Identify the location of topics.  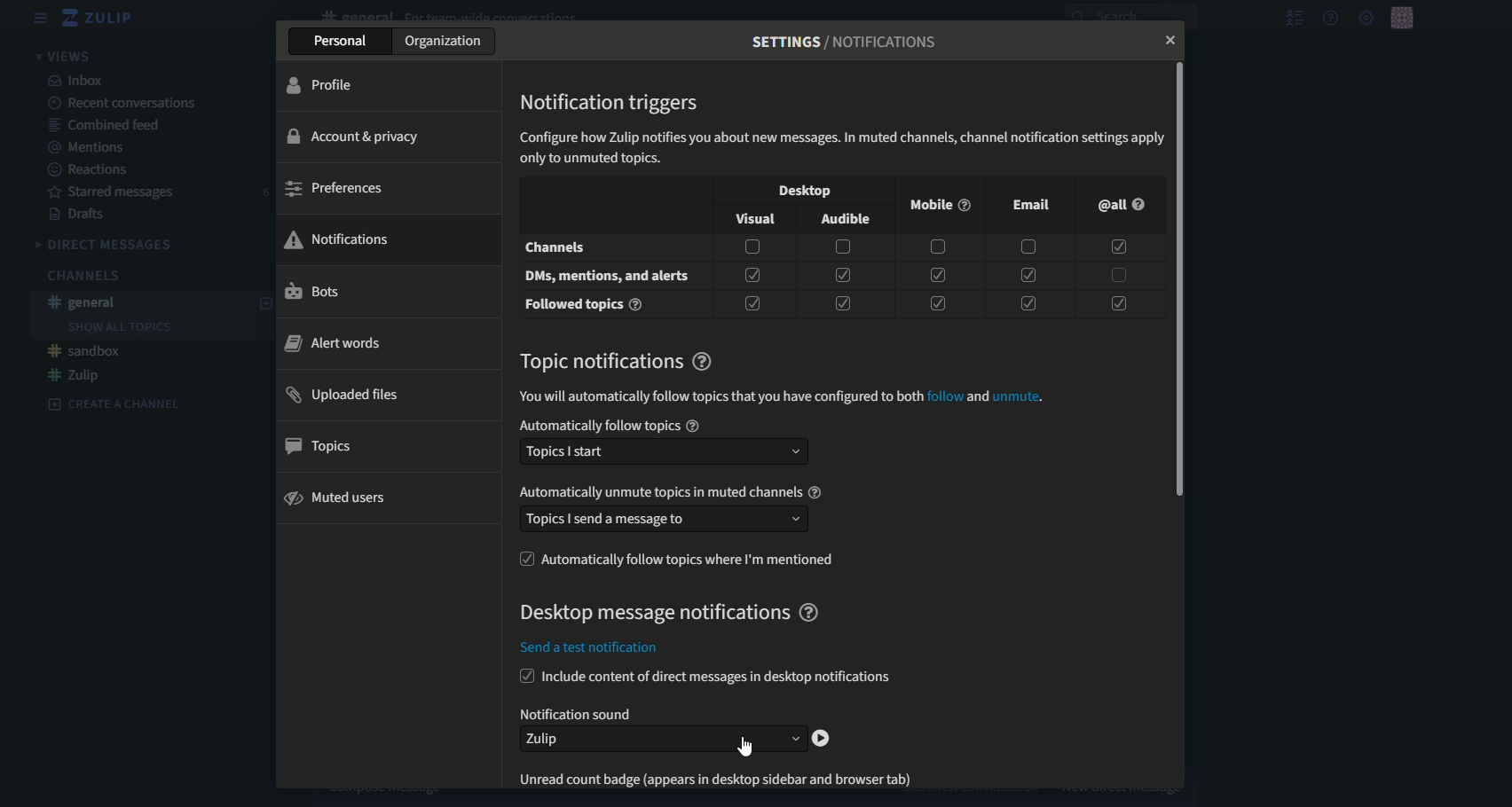
(325, 447).